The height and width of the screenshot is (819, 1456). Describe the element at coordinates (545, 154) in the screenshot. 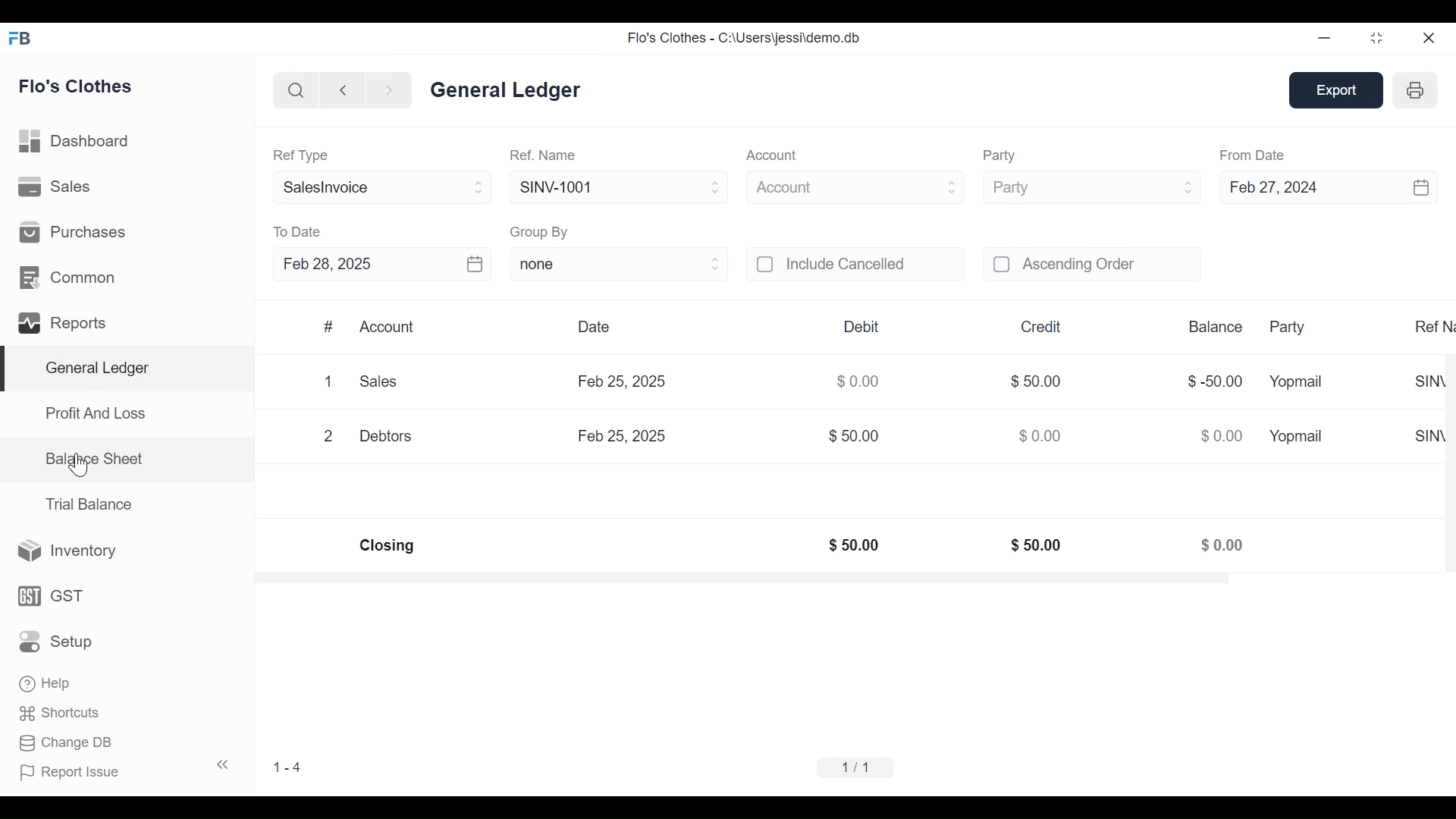

I see `Ref. Name` at that location.